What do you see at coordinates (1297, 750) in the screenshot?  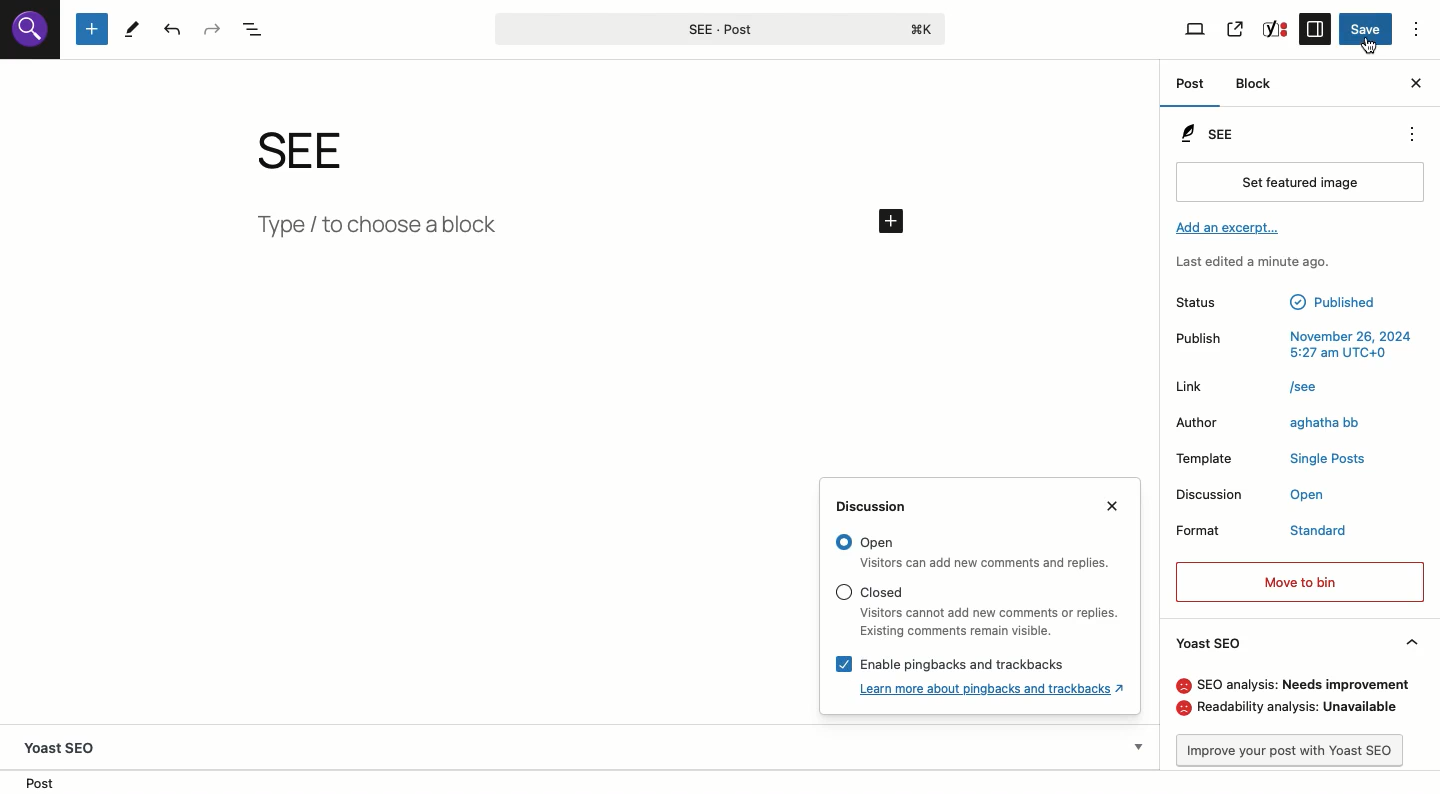 I see `Improve post with Yoast` at bounding box center [1297, 750].